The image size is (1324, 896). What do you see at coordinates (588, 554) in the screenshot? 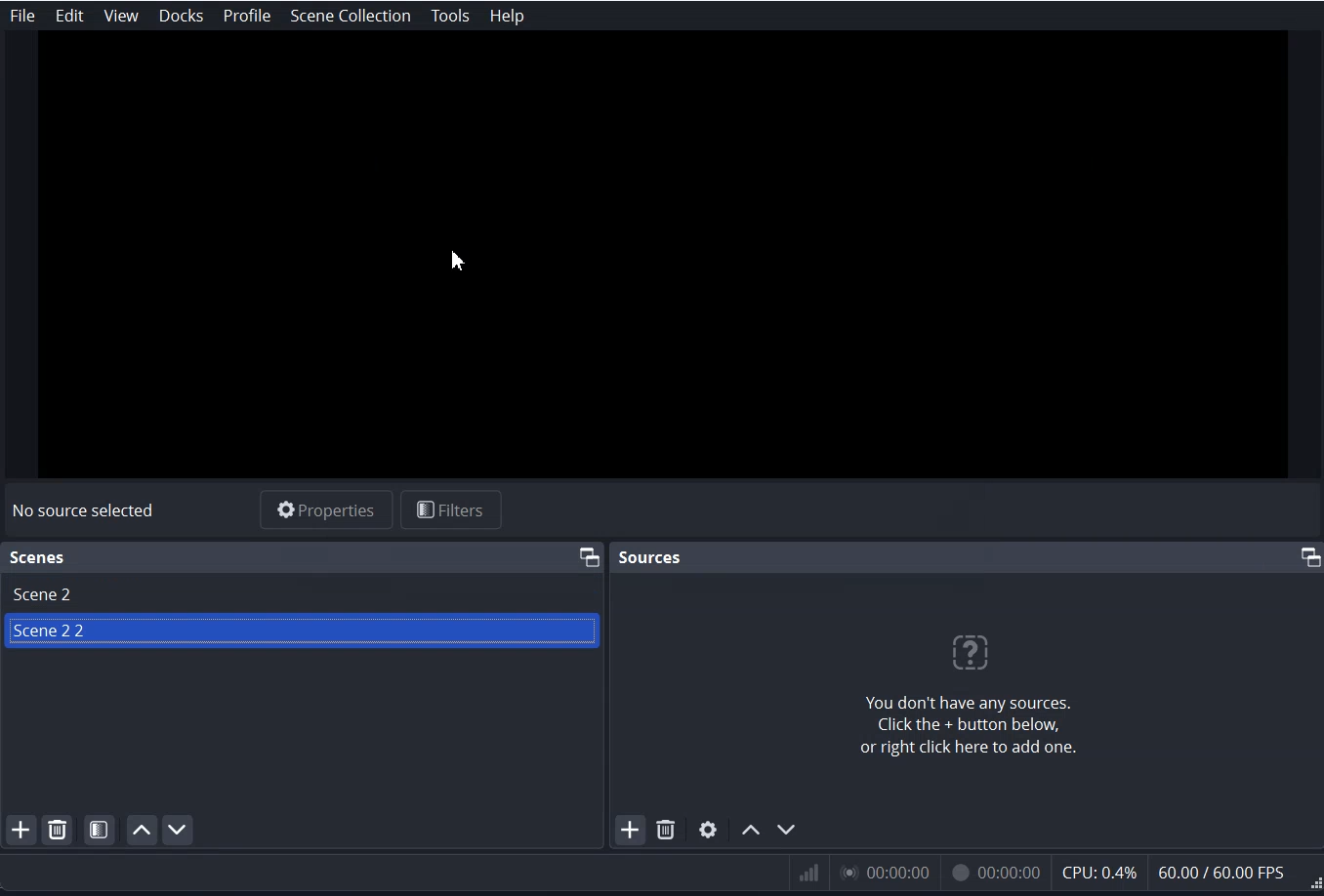
I see `Maximize` at bounding box center [588, 554].